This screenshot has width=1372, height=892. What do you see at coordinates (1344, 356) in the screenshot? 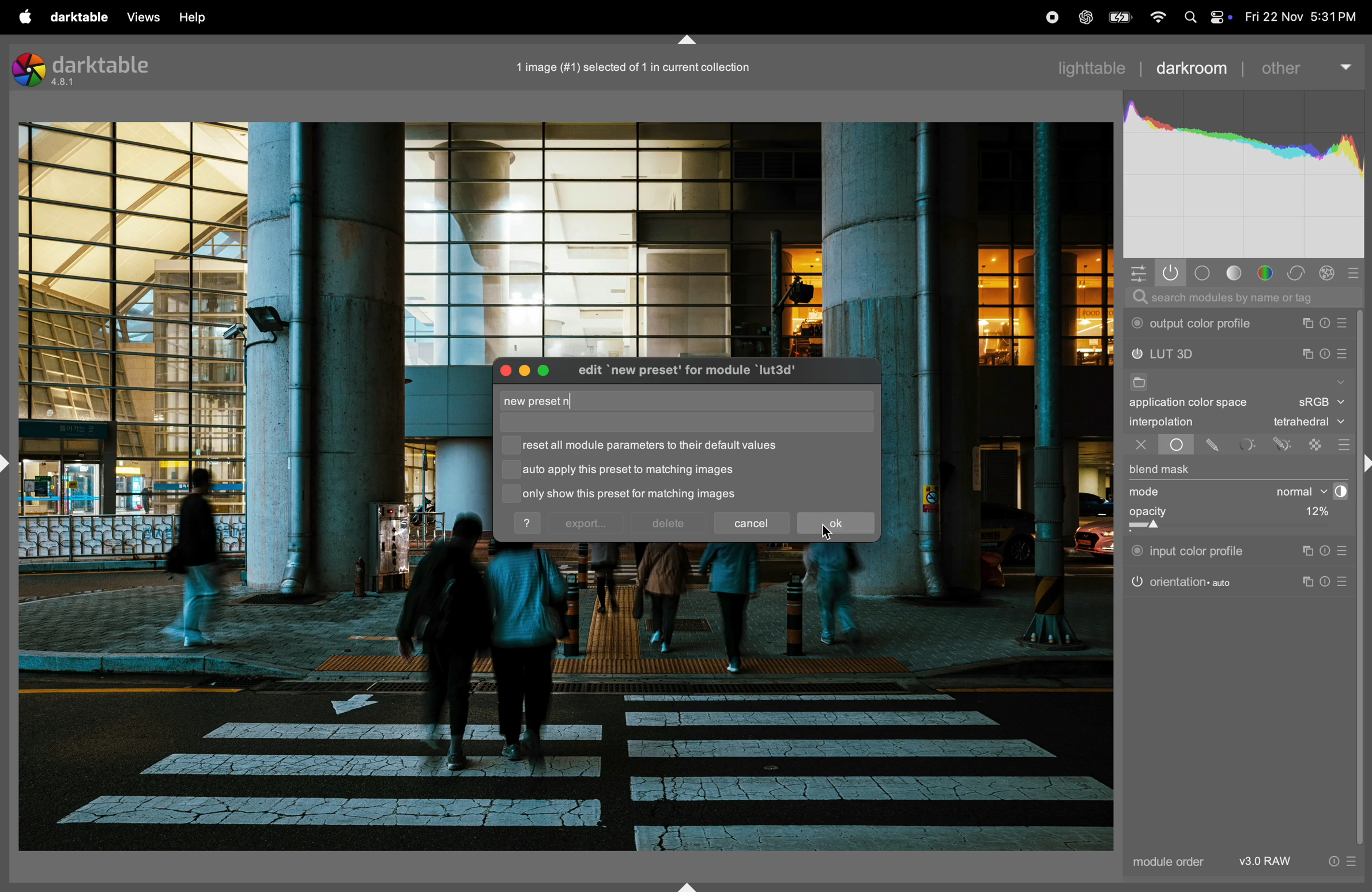
I see `presets` at bounding box center [1344, 356].